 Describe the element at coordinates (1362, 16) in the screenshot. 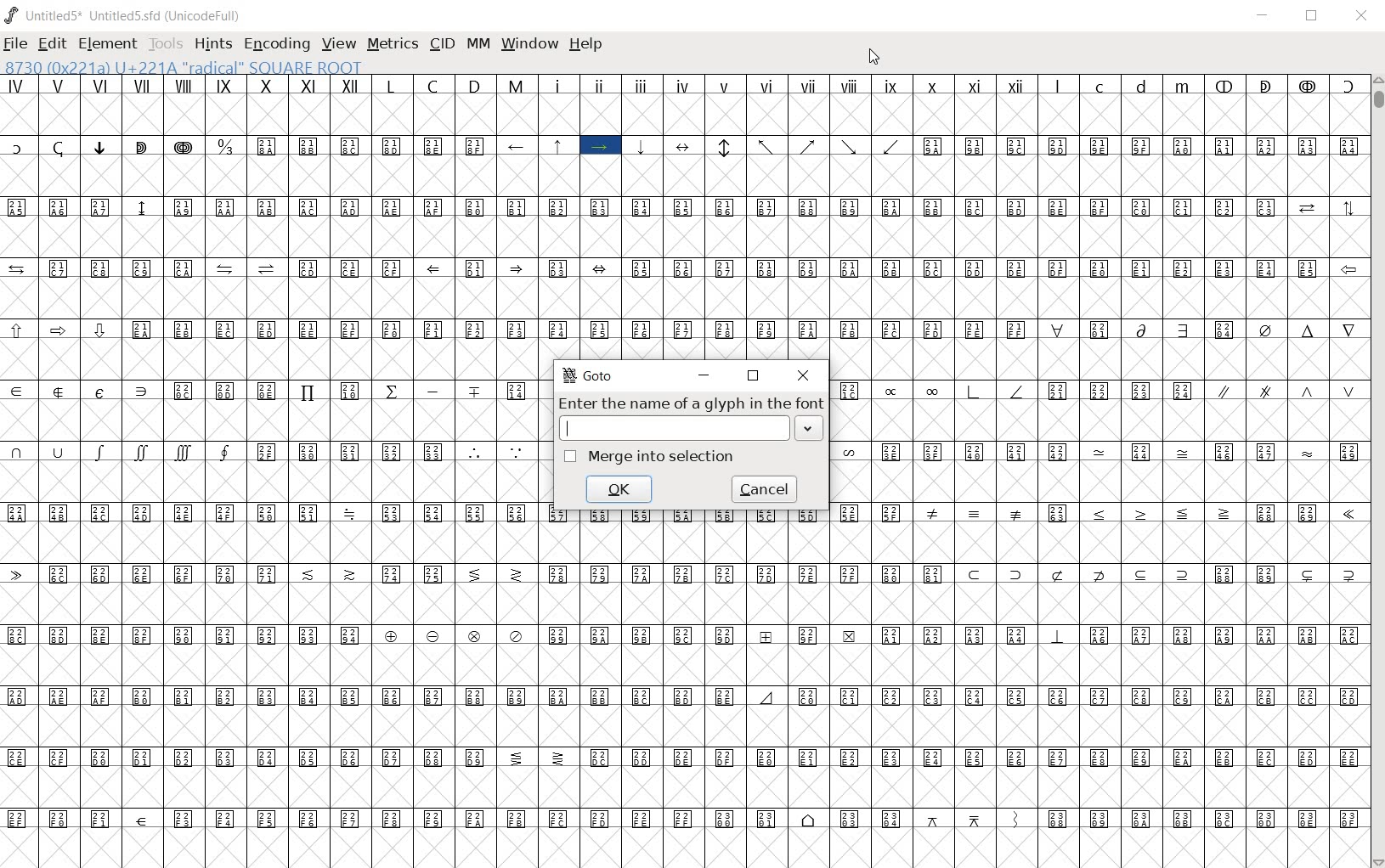

I see `CLOSE` at that location.